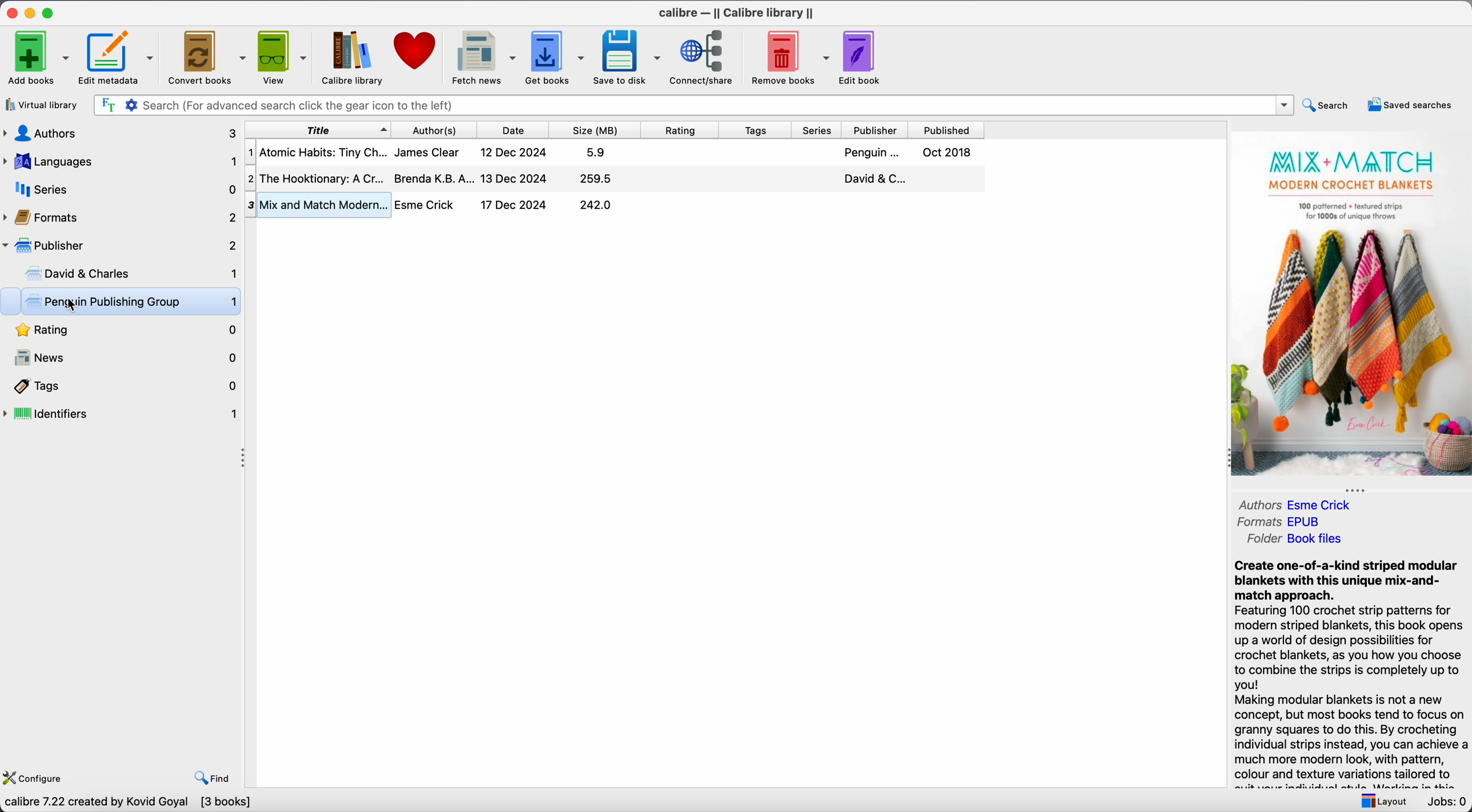  Describe the element at coordinates (628, 57) in the screenshot. I see `save to disk` at that location.